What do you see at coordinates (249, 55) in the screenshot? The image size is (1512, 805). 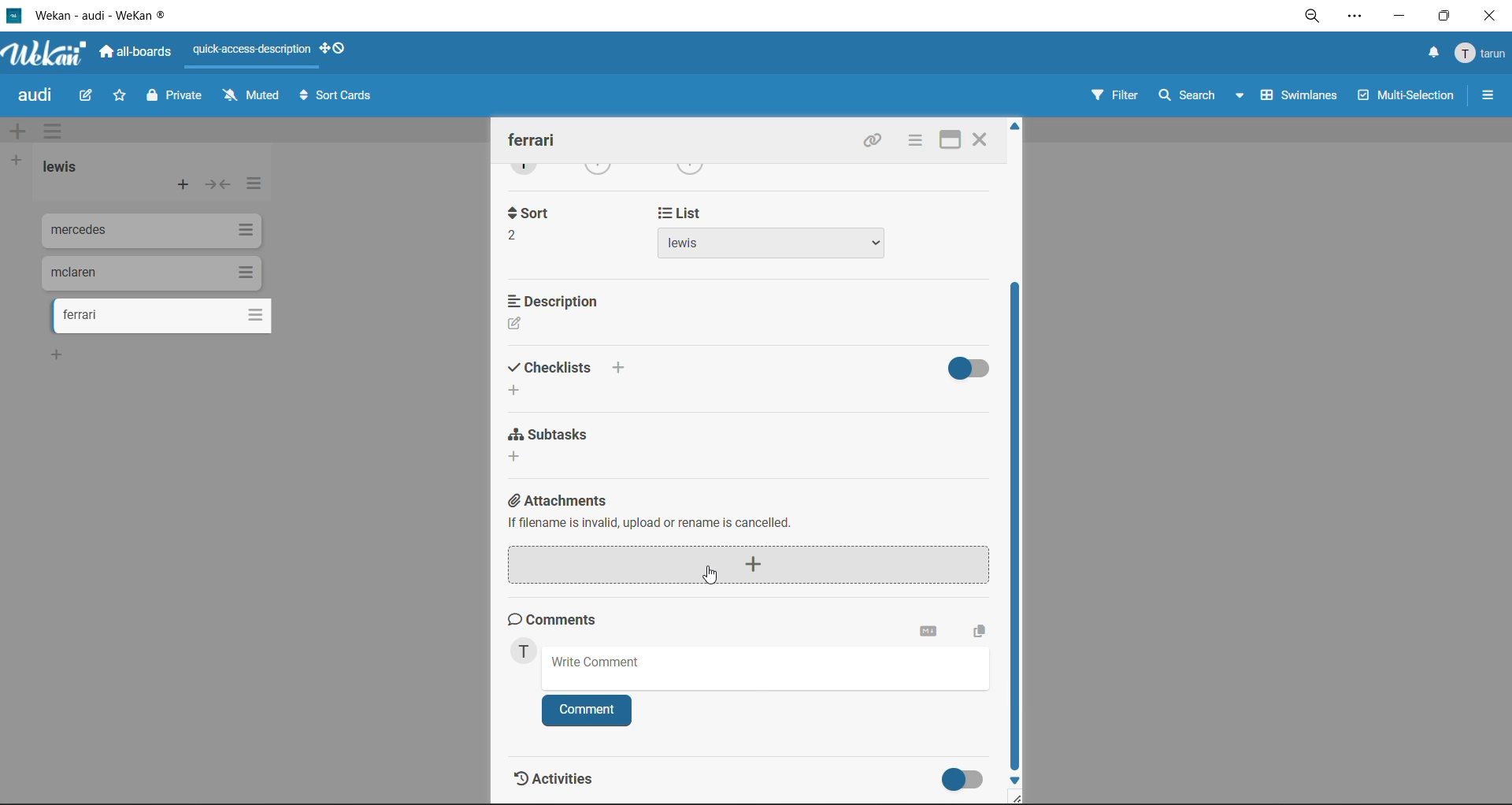 I see `quick access description` at bounding box center [249, 55].